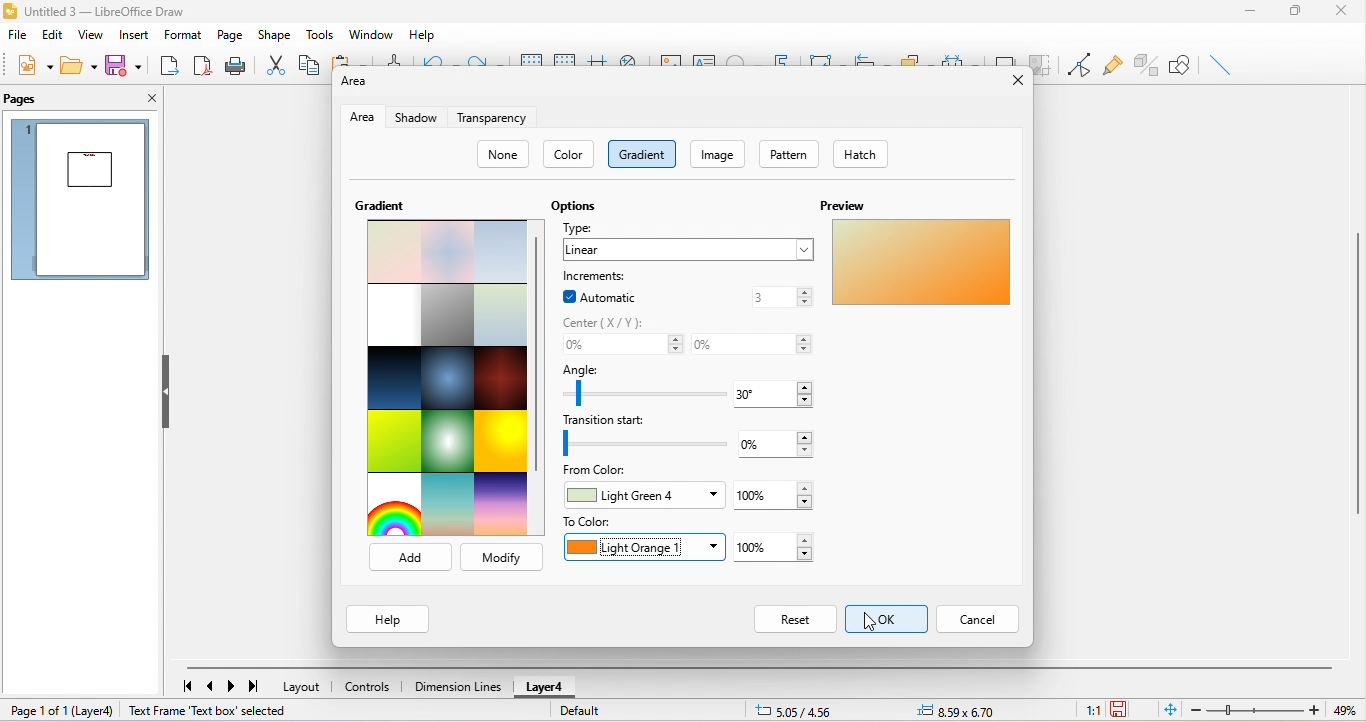 The width and height of the screenshot is (1366, 722). What do you see at coordinates (501, 556) in the screenshot?
I see `modify` at bounding box center [501, 556].